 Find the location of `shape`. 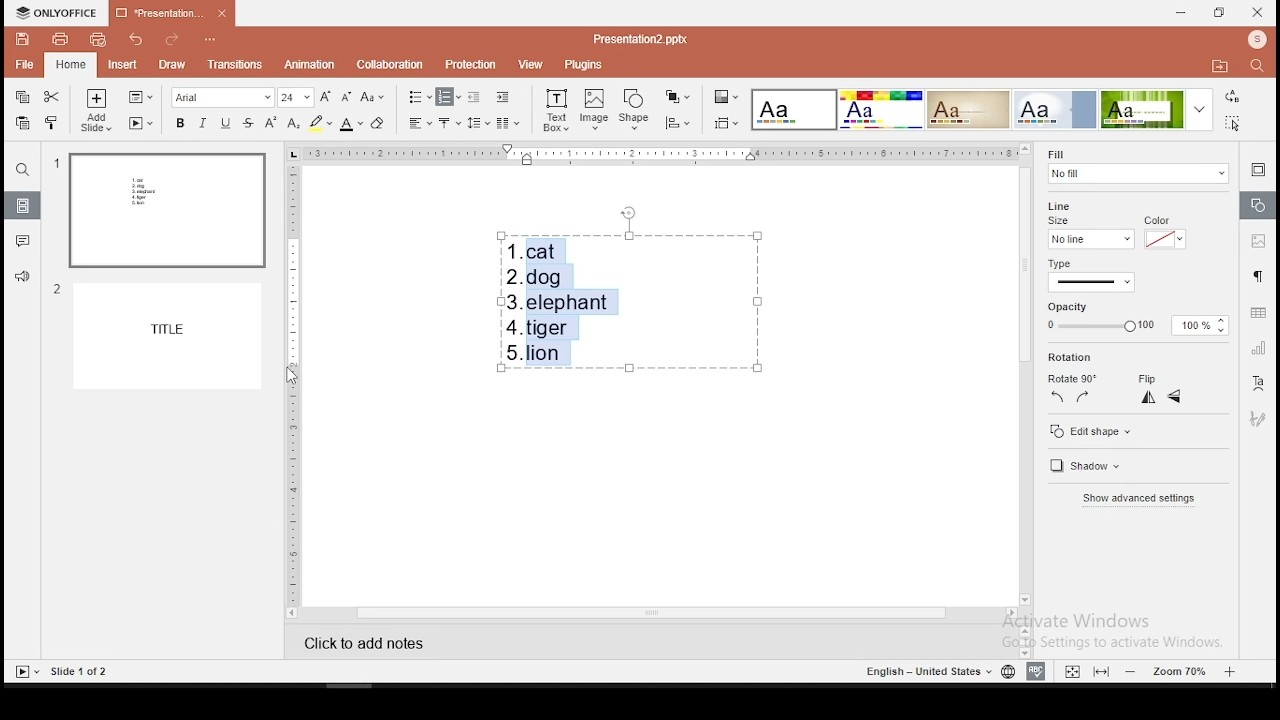

shape is located at coordinates (635, 110).